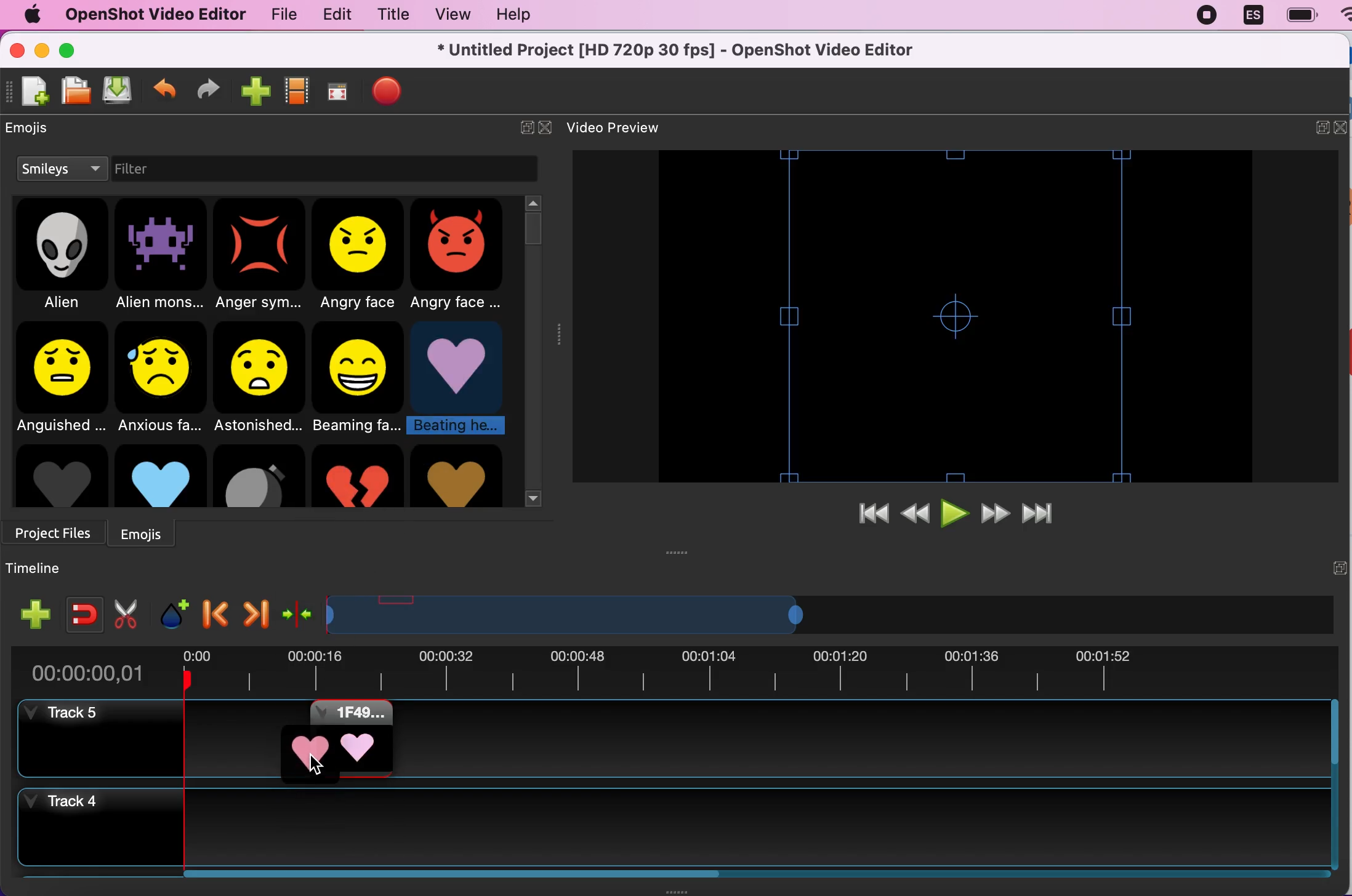 Image resolution: width=1352 pixels, height=896 pixels. I want to click on export file, so click(387, 92).